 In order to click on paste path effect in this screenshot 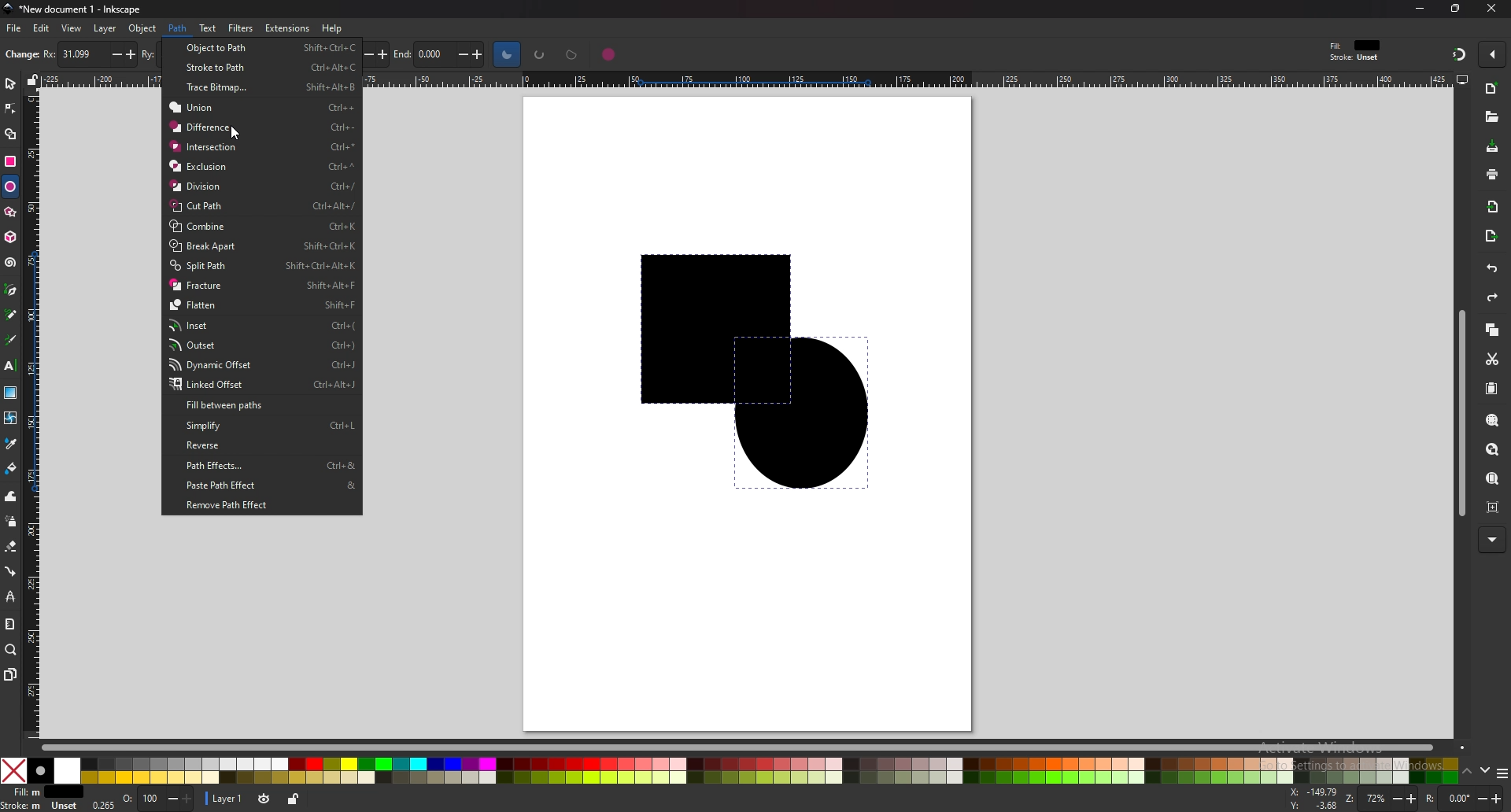, I will do `click(249, 486)`.